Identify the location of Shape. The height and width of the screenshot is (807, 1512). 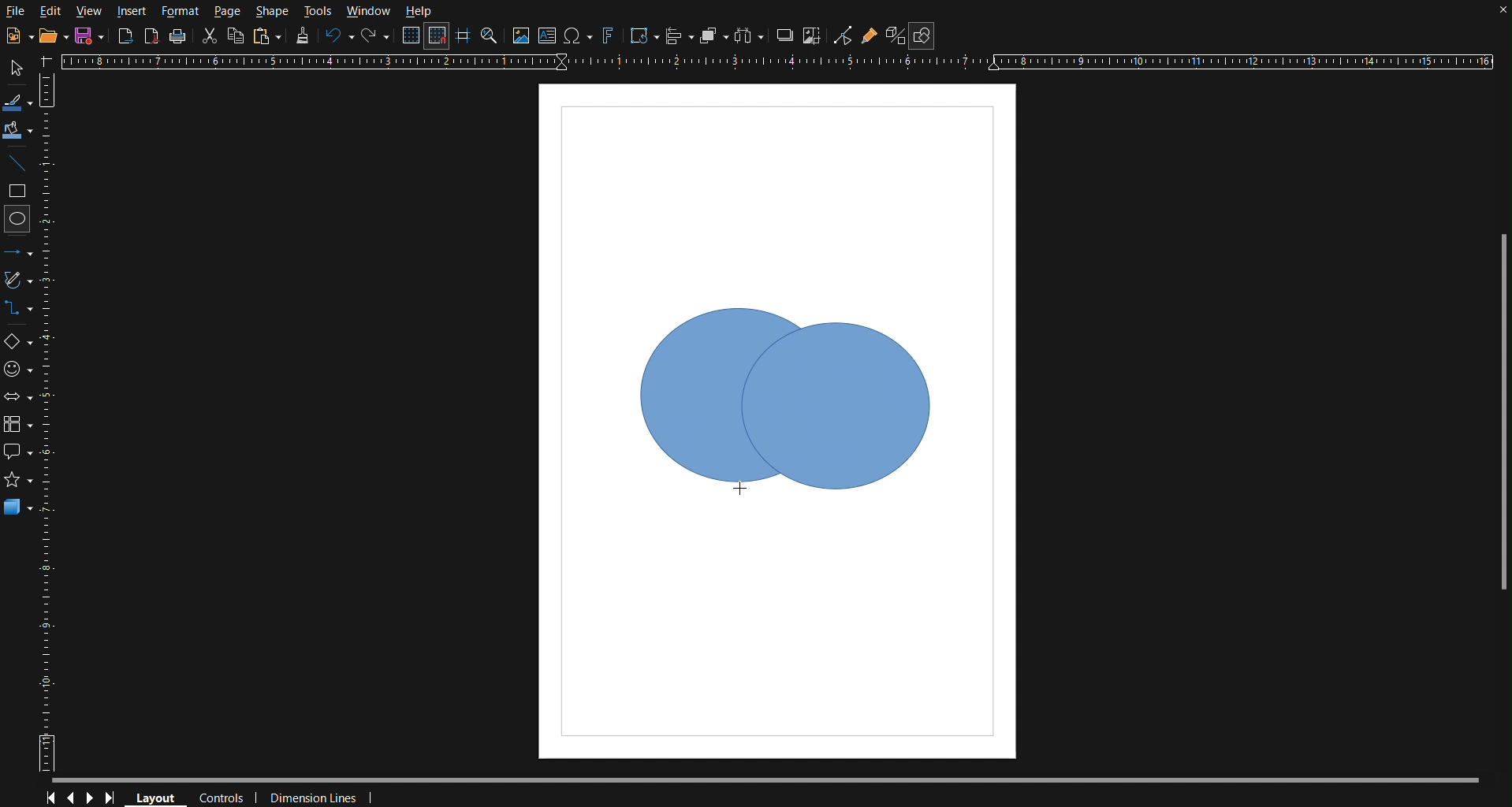
(272, 12).